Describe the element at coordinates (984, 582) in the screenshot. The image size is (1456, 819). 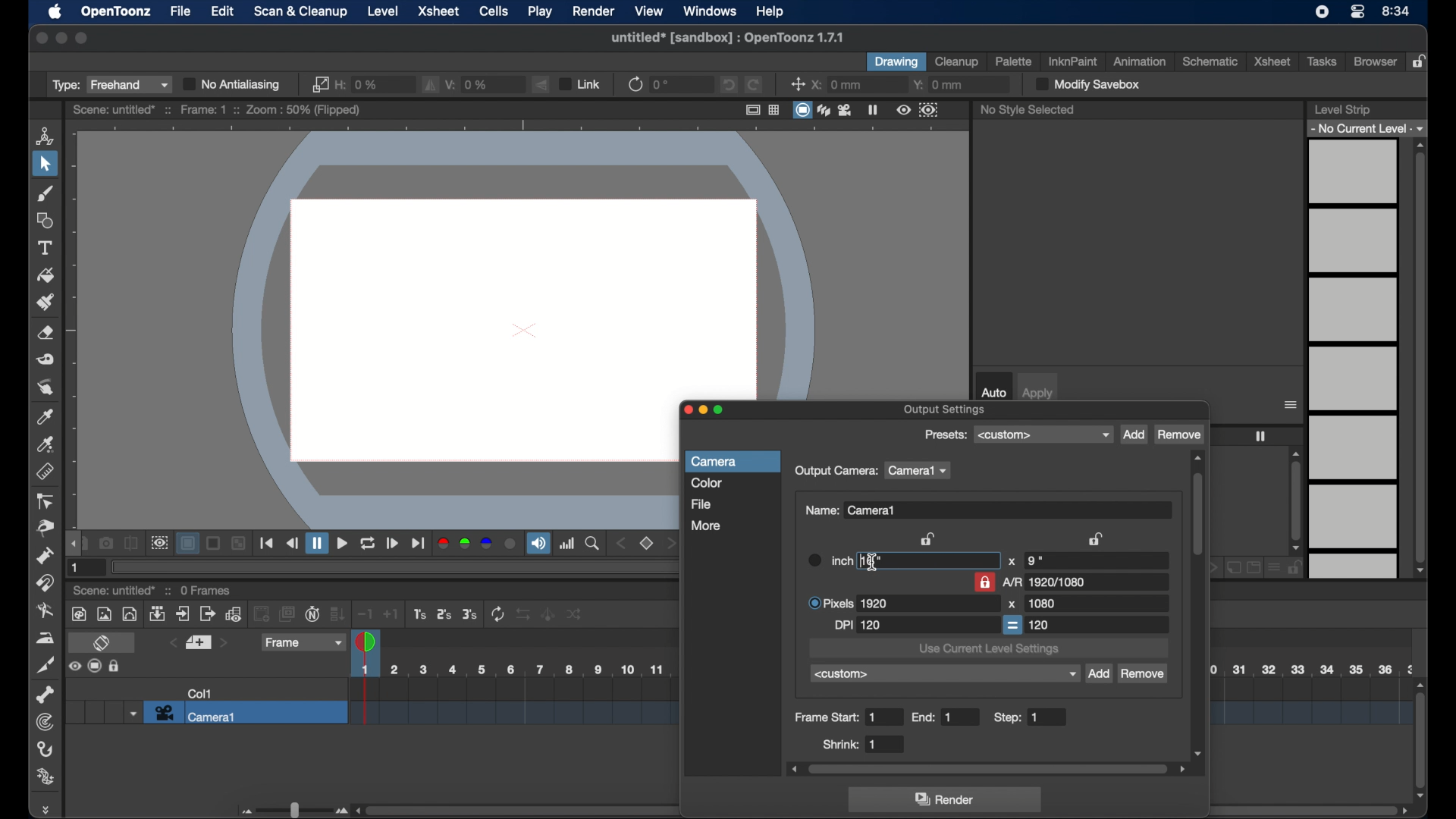
I see `lock` at that location.